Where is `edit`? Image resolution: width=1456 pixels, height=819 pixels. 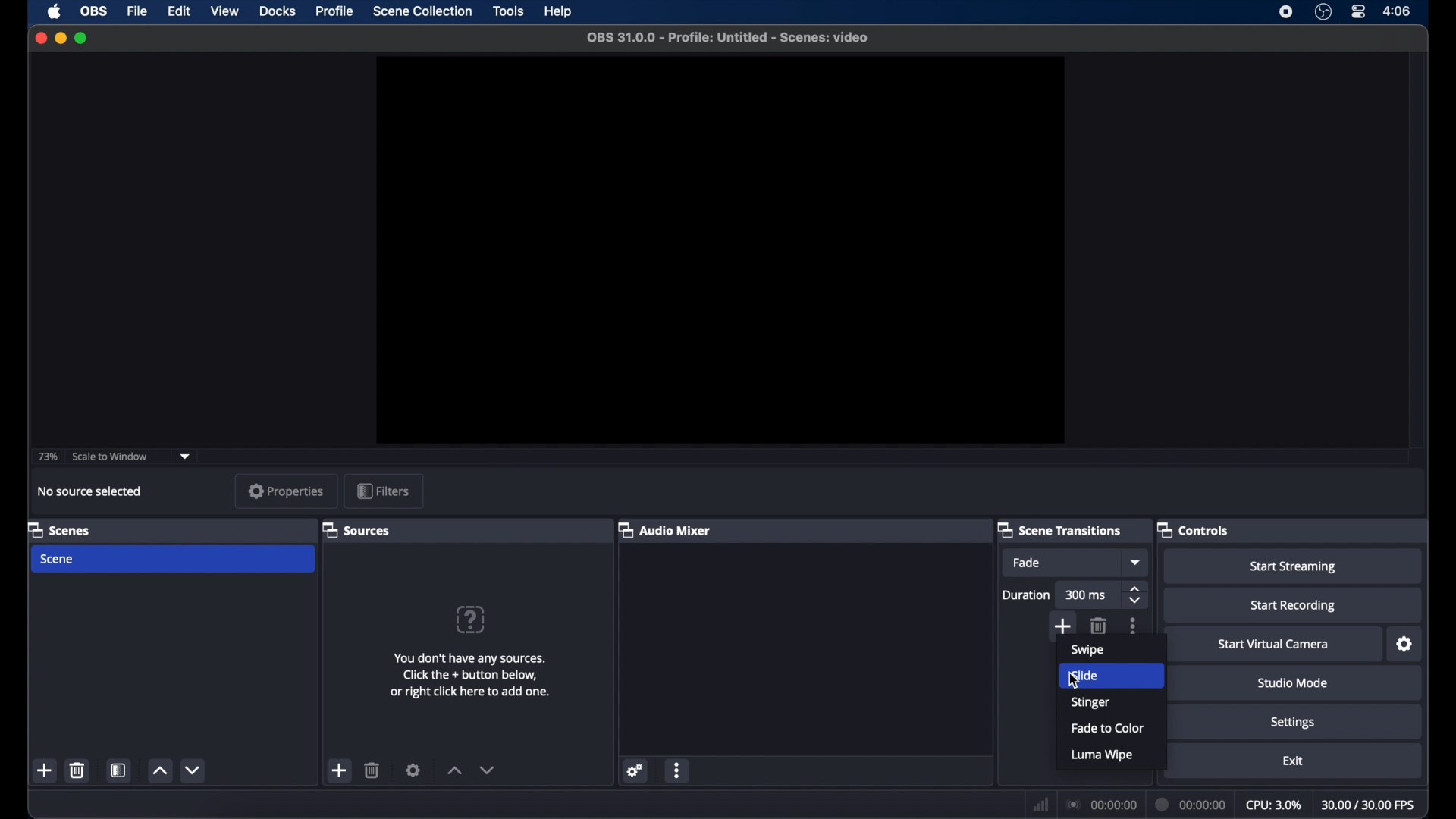 edit is located at coordinates (178, 11).